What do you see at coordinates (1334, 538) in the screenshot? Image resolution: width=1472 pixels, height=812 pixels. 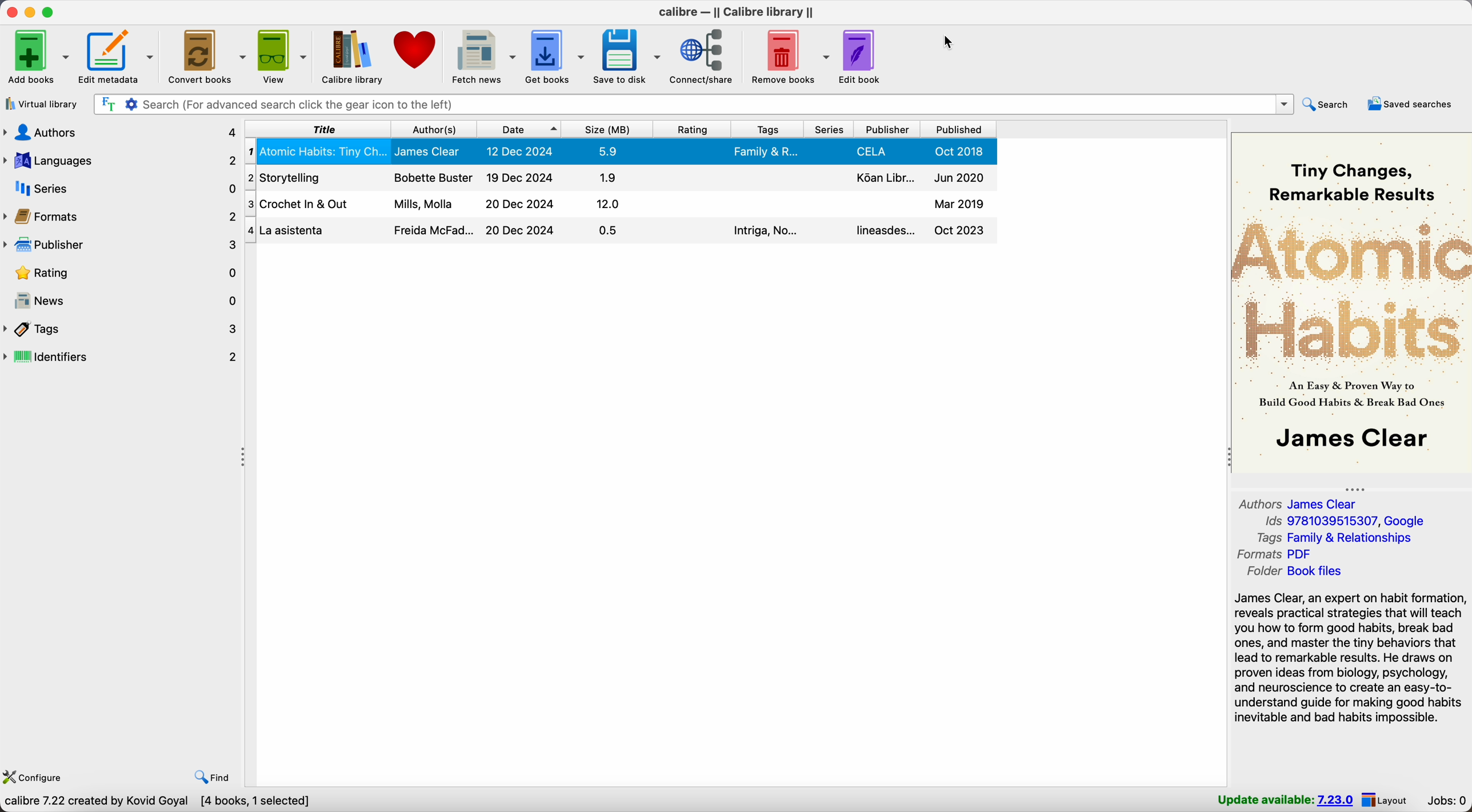 I see `tags` at bounding box center [1334, 538].